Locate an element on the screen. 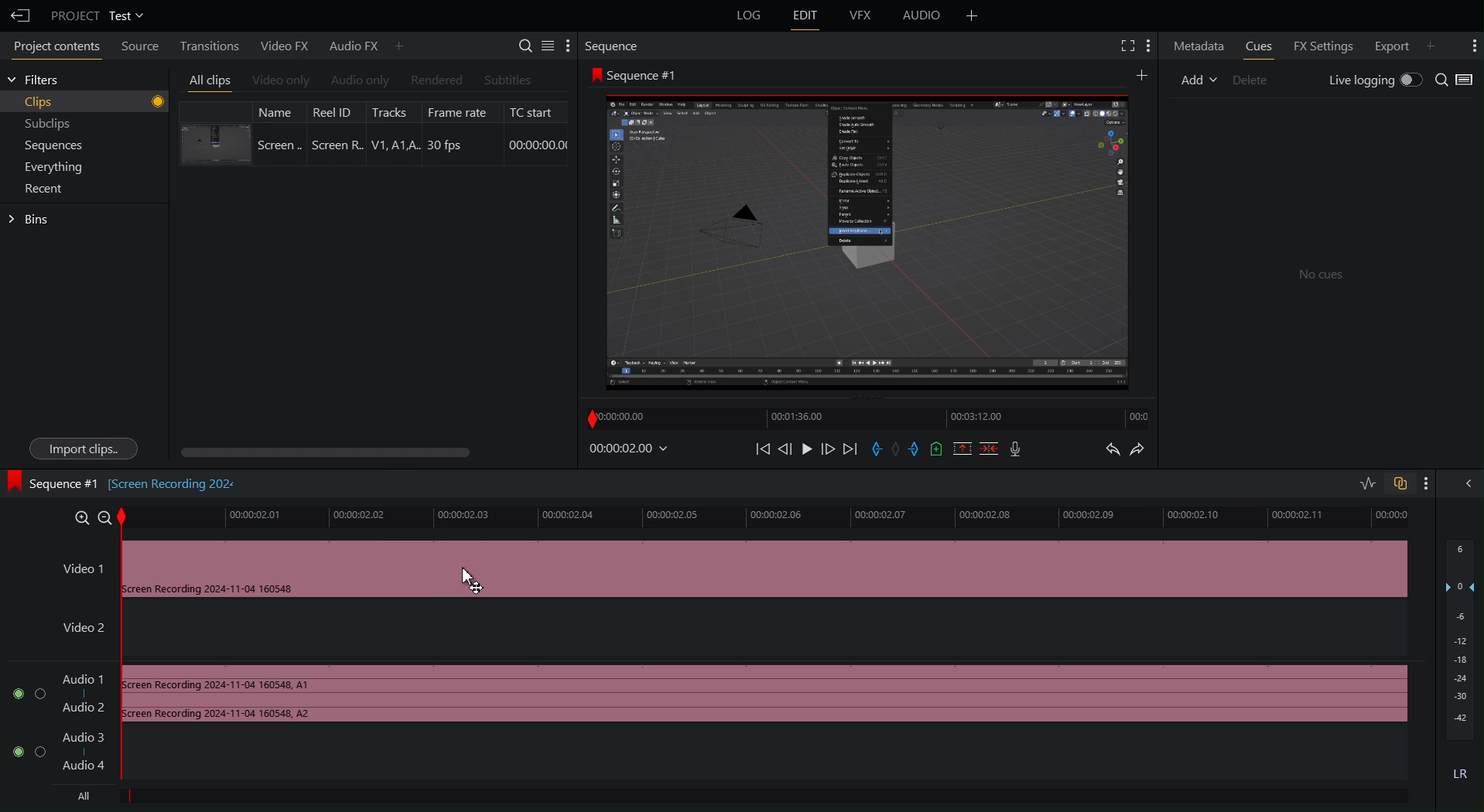 This screenshot has height=812, width=1484. Sequence#1 [Screen recording 202 is located at coordinates (128, 486).